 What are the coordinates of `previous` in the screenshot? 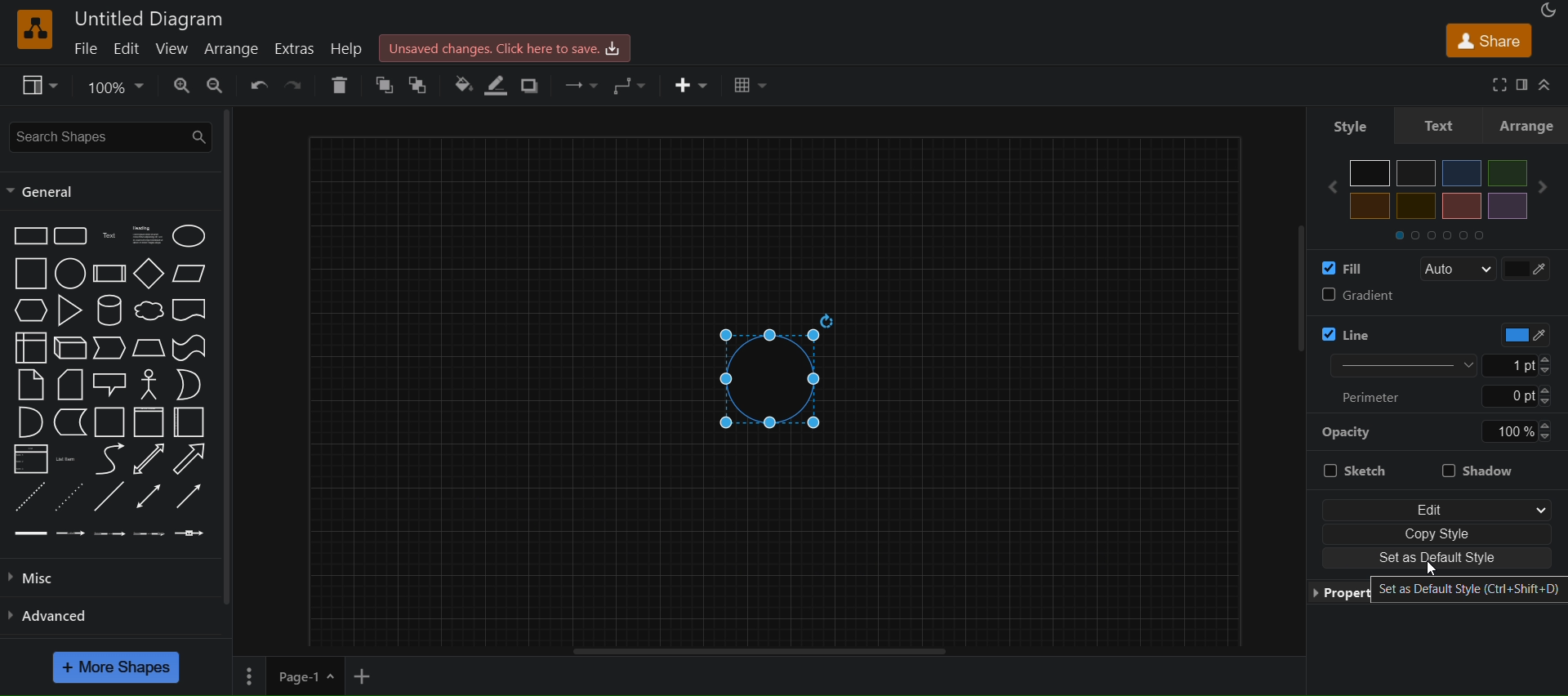 It's located at (1325, 187).